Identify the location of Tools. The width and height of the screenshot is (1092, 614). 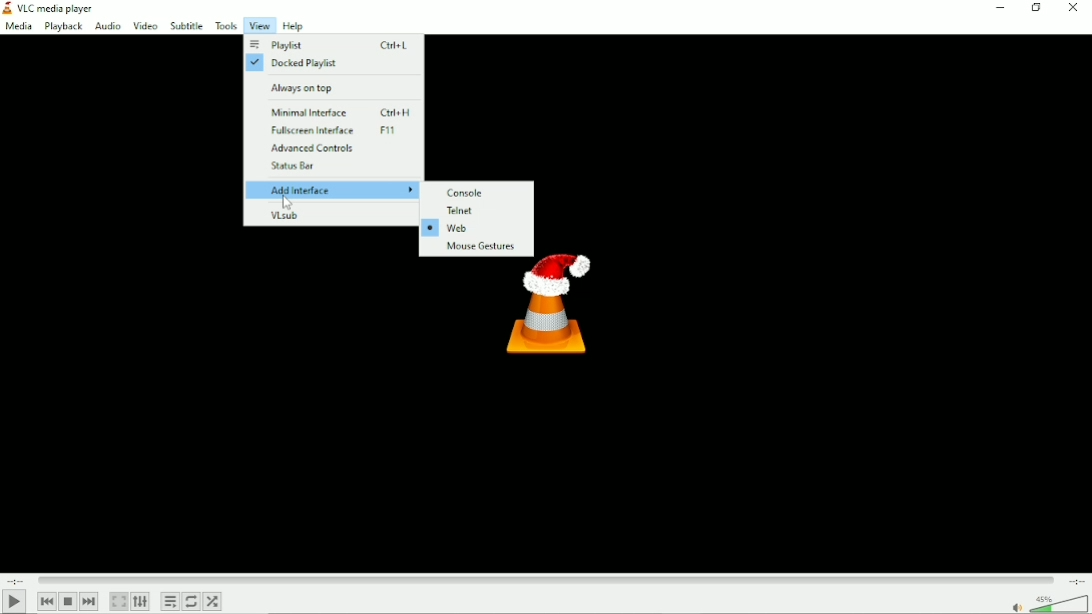
(226, 25).